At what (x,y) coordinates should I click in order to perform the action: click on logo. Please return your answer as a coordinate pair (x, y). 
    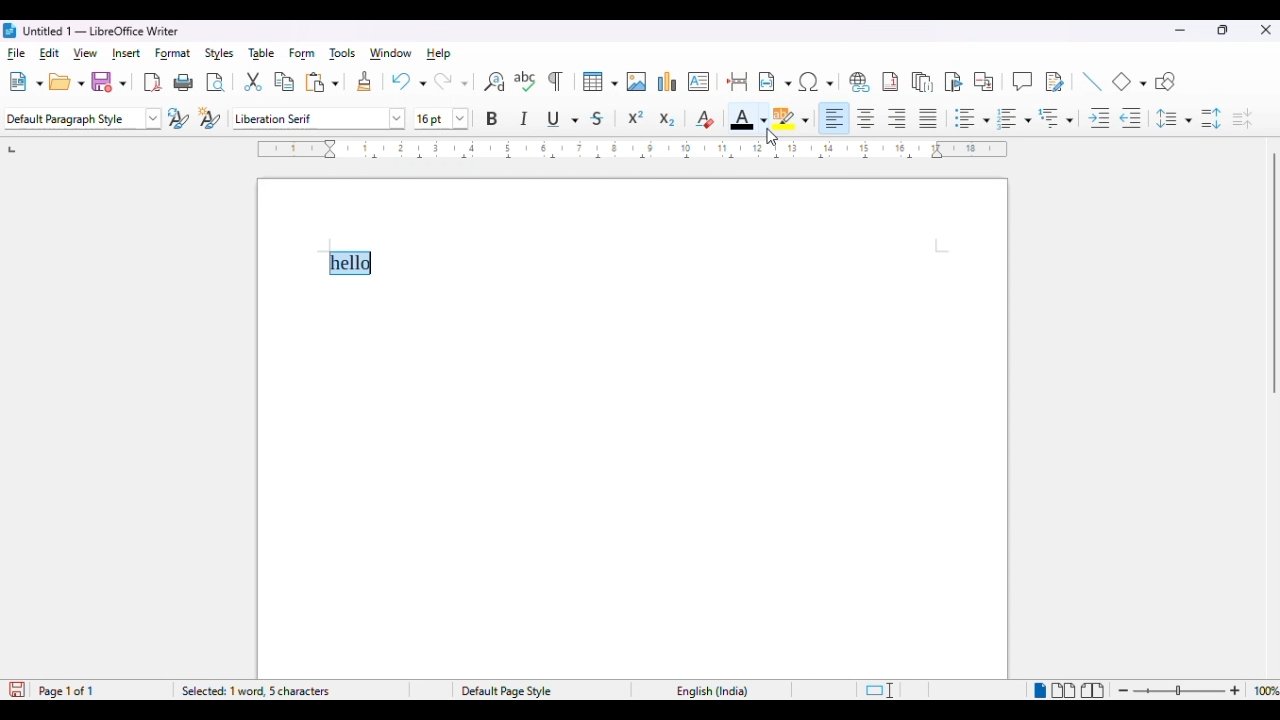
    Looking at the image, I should click on (10, 30).